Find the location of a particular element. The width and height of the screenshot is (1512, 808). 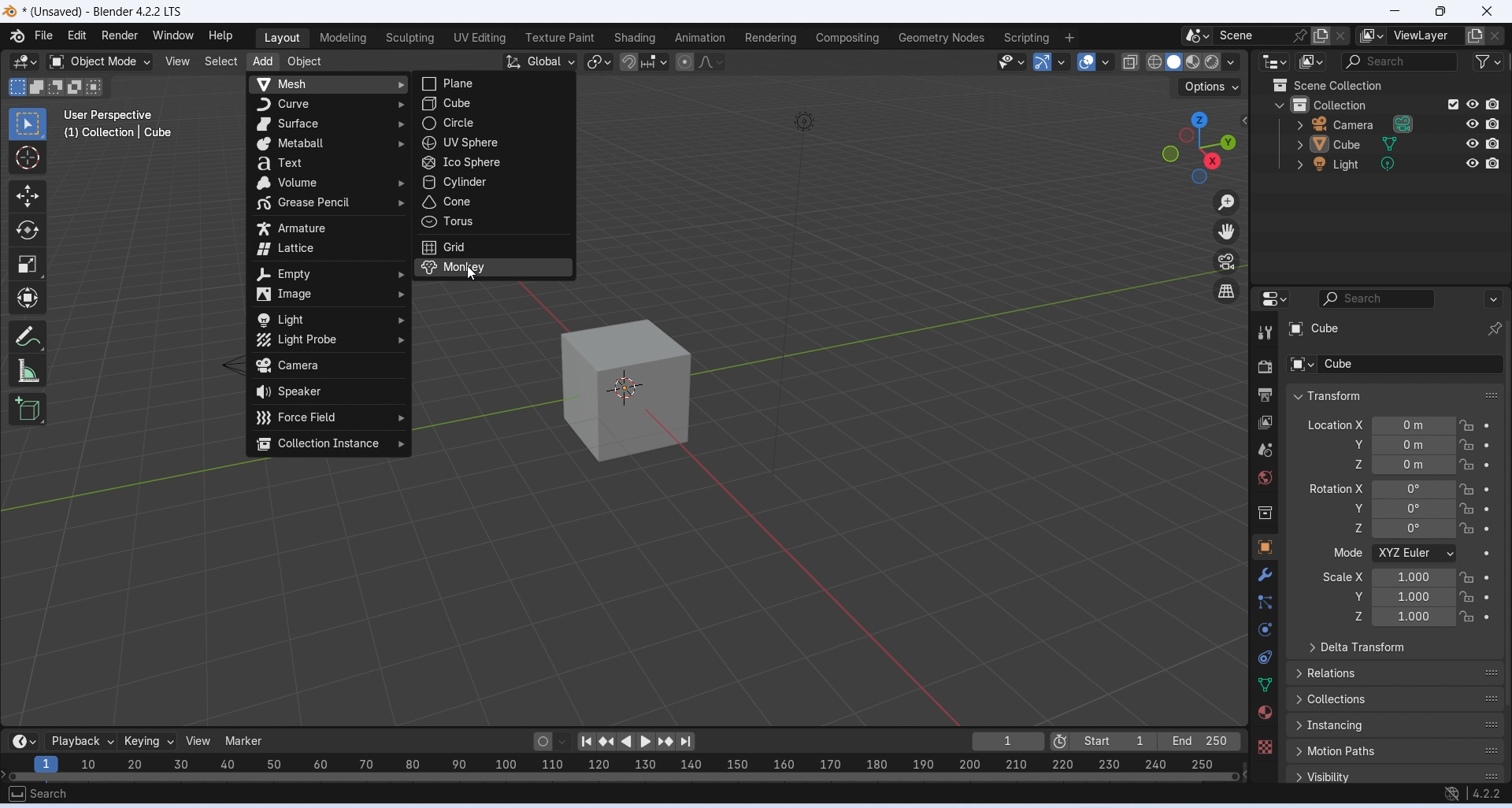

z is located at coordinates (1347, 528).